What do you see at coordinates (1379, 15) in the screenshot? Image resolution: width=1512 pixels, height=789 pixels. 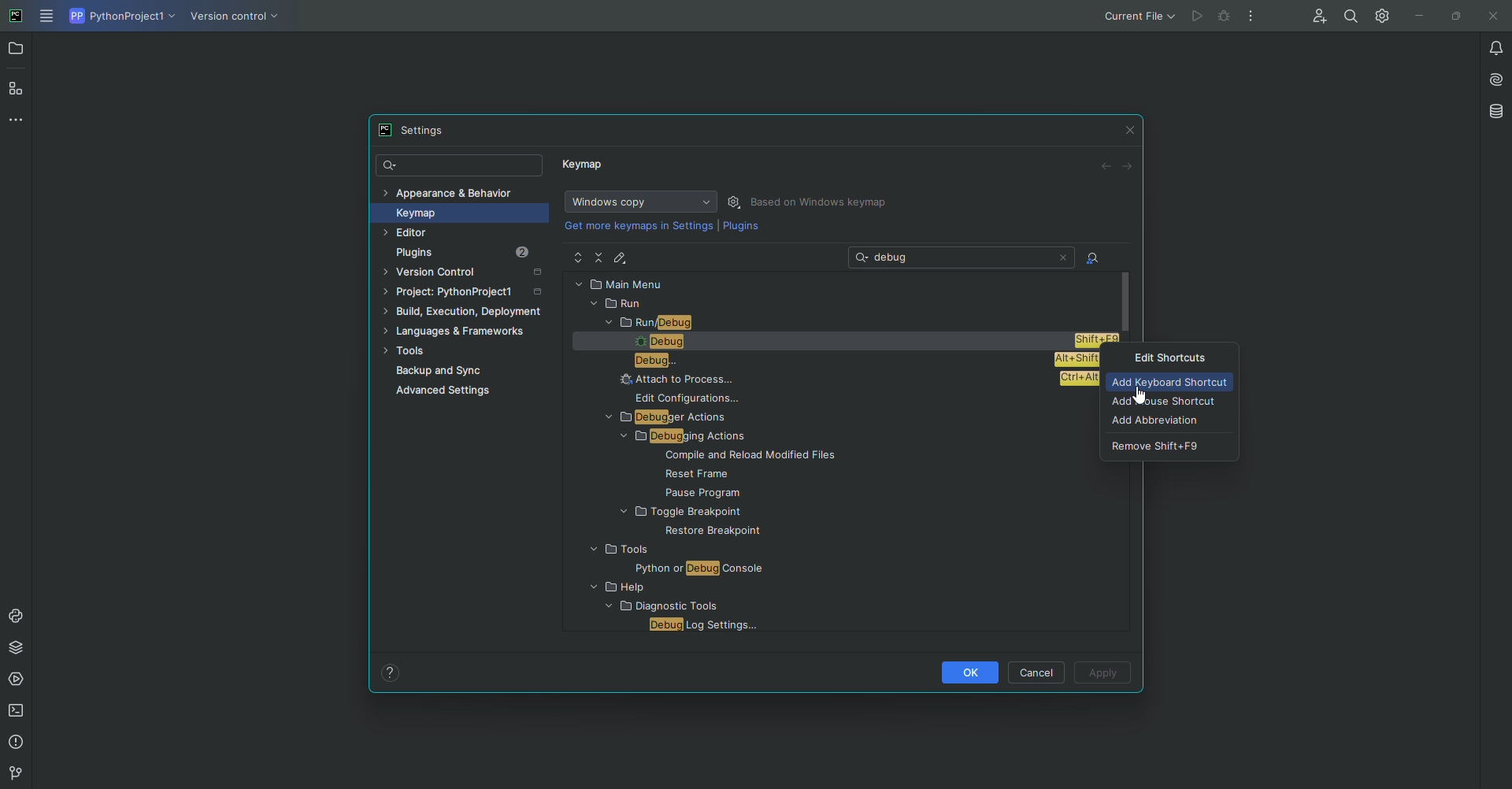 I see `Settings` at bounding box center [1379, 15].